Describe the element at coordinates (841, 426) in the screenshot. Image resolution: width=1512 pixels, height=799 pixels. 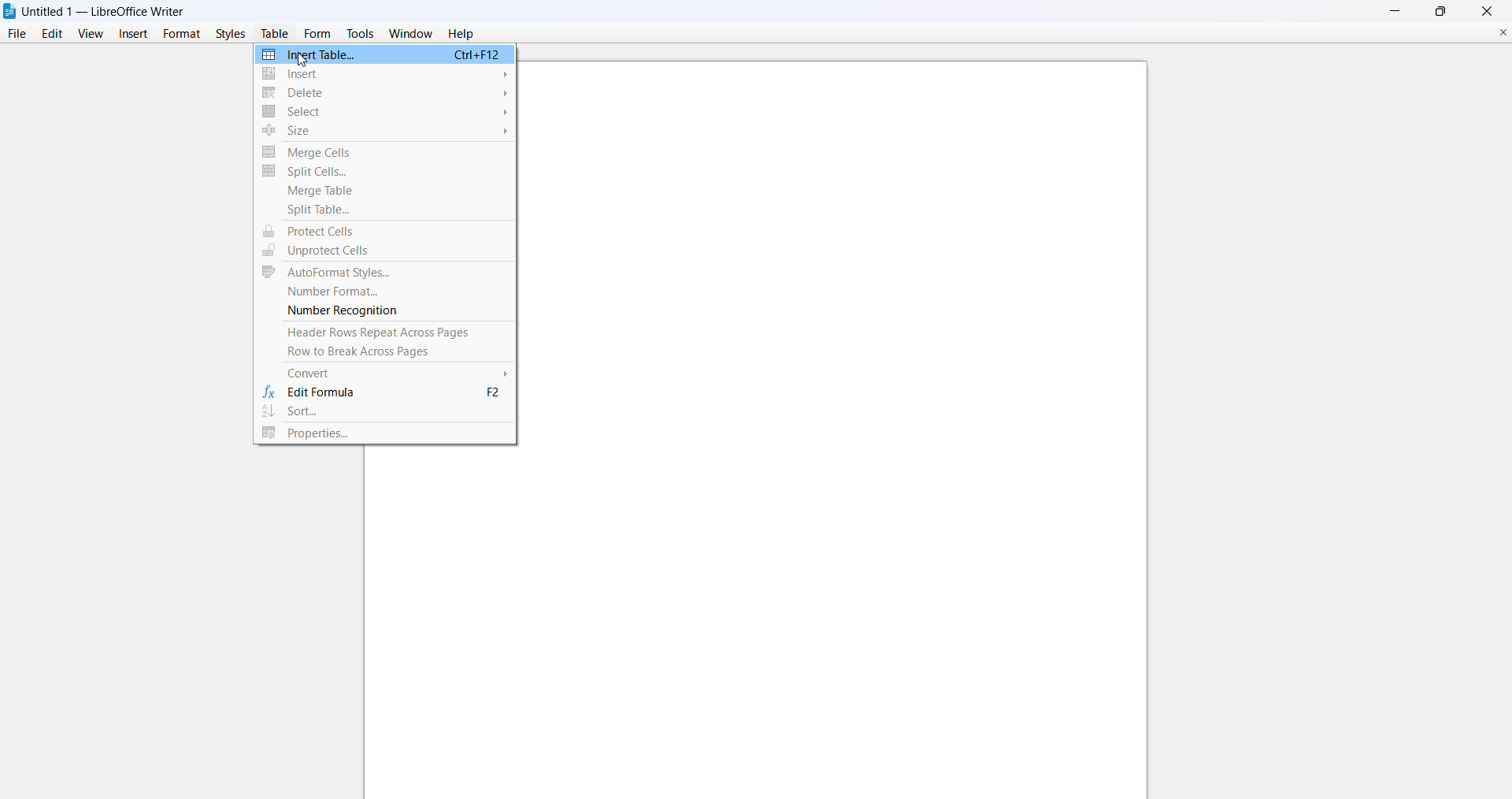
I see `canvas` at that location.